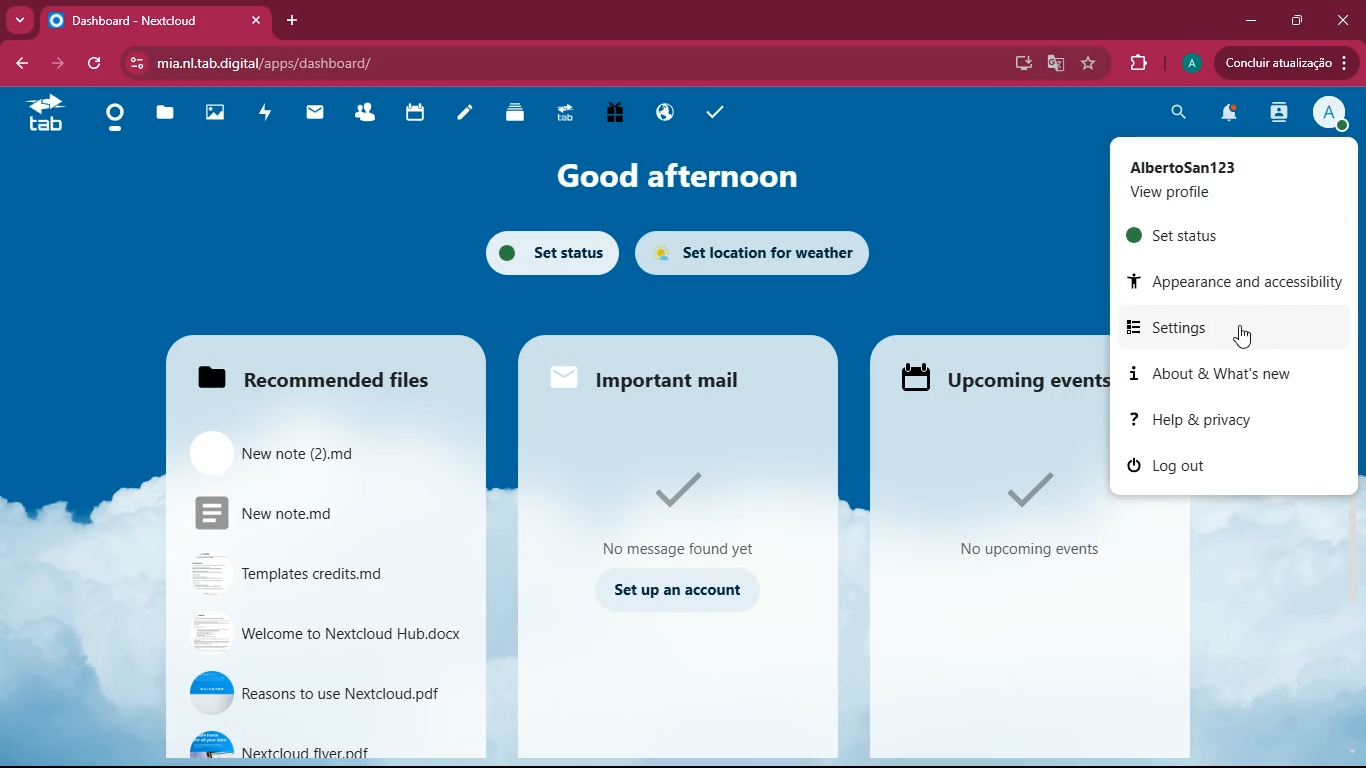 The height and width of the screenshot is (768, 1366). Describe the element at coordinates (20, 20) in the screenshot. I see `more` at that location.